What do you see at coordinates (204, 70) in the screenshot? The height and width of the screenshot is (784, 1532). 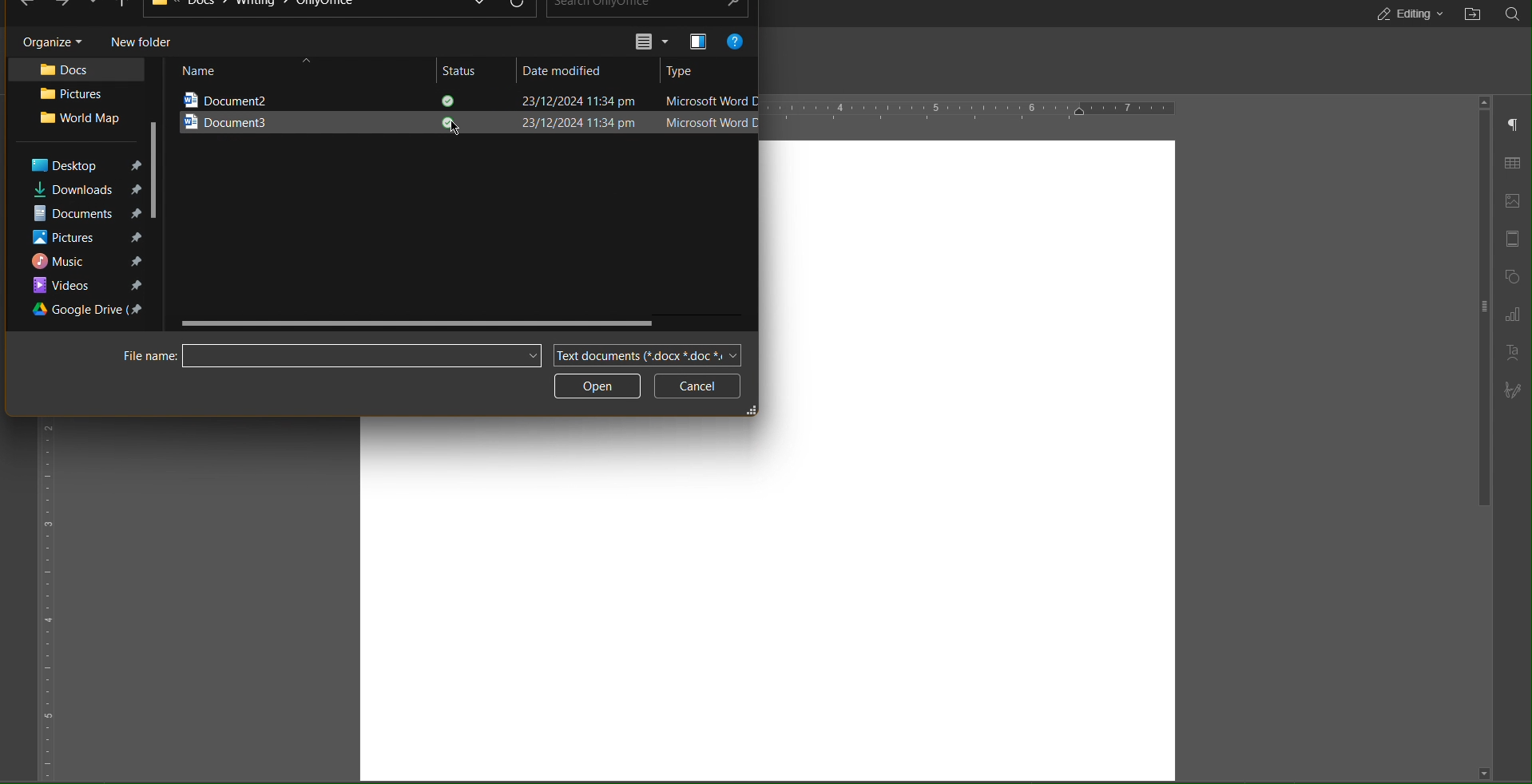 I see `Name` at bounding box center [204, 70].